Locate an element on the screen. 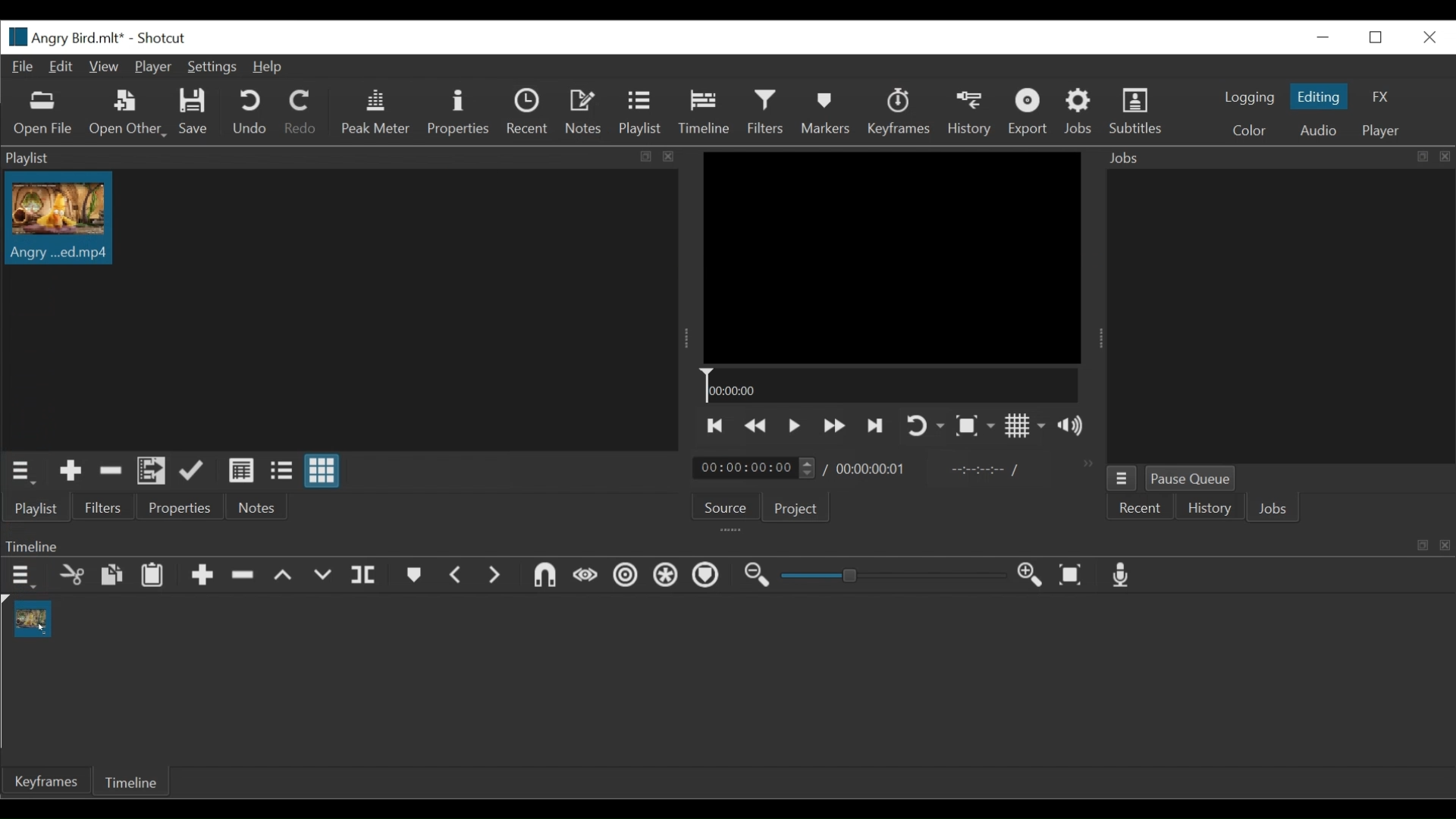 This screenshot has height=819, width=1456. Sow volume control is located at coordinates (1070, 425).